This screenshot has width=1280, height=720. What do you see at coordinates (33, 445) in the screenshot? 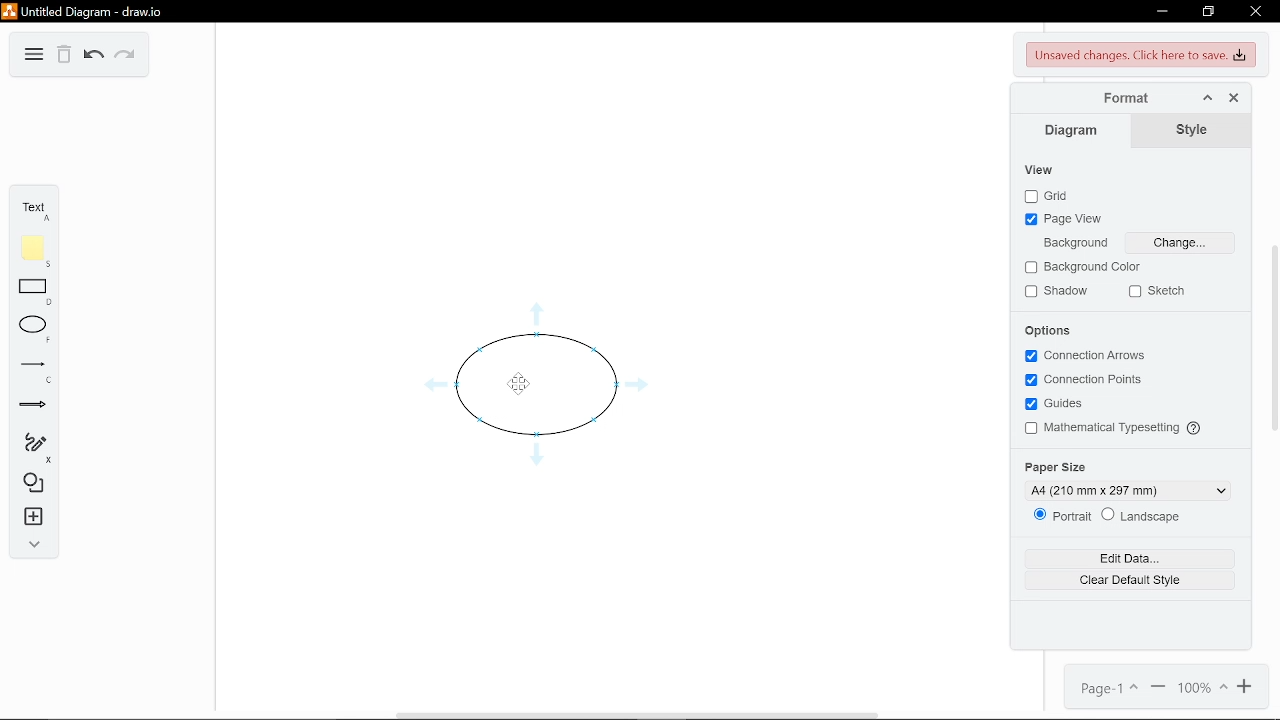
I see `Freehand` at bounding box center [33, 445].